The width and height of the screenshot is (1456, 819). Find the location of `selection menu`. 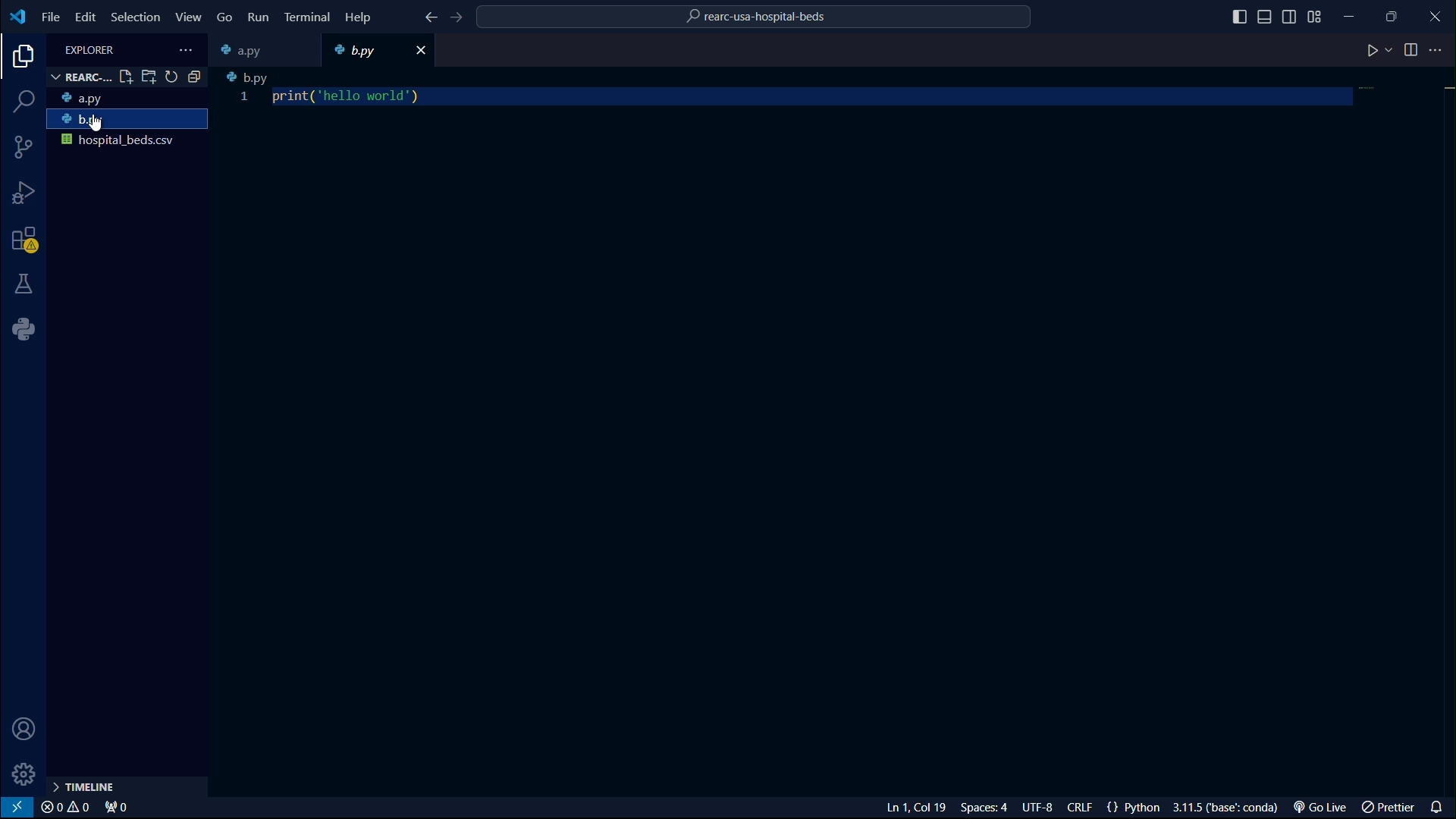

selection menu is located at coordinates (134, 14).